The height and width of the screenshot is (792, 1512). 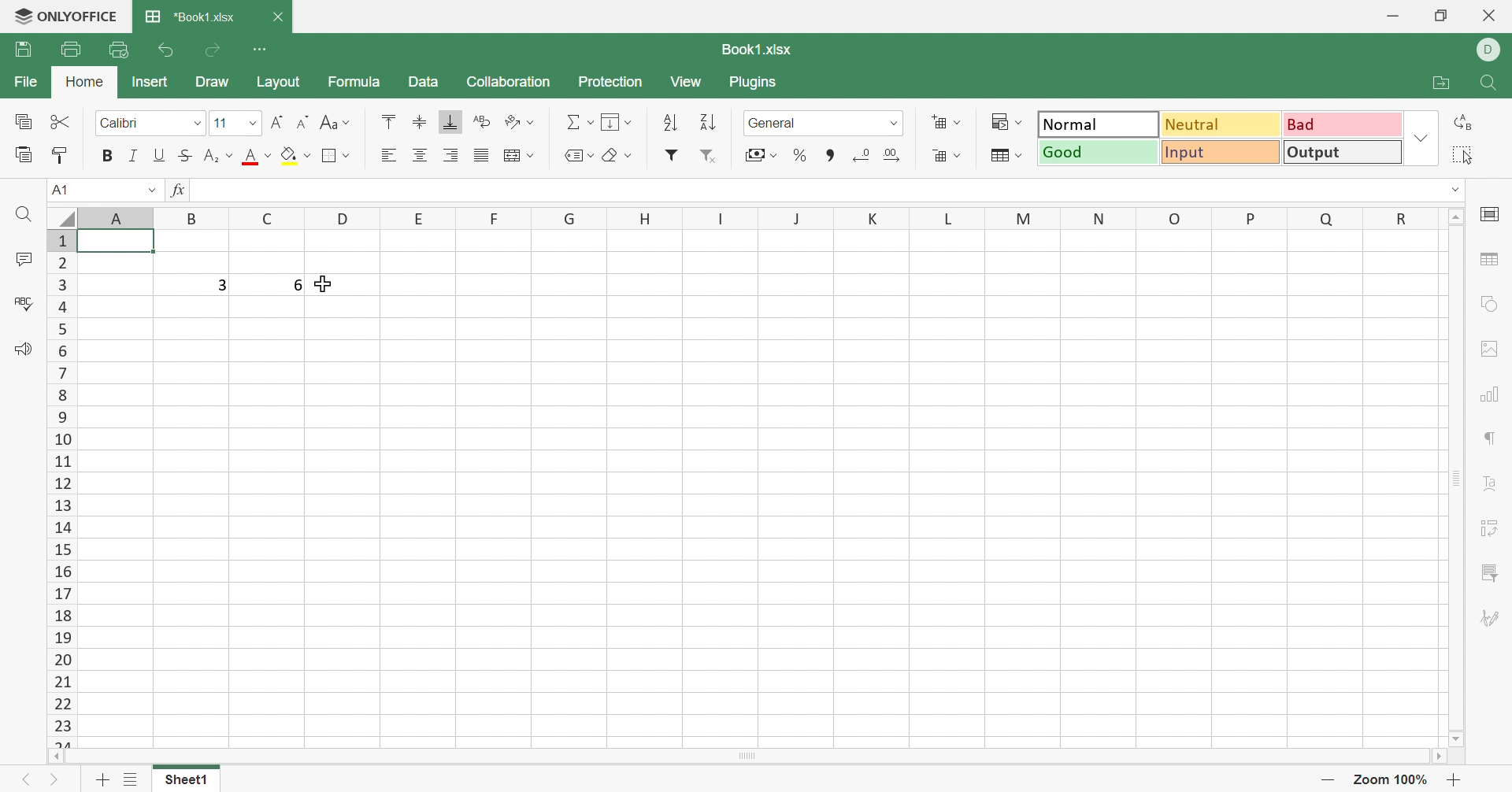 What do you see at coordinates (746, 757) in the screenshot?
I see `Scroll bar` at bounding box center [746, 757].